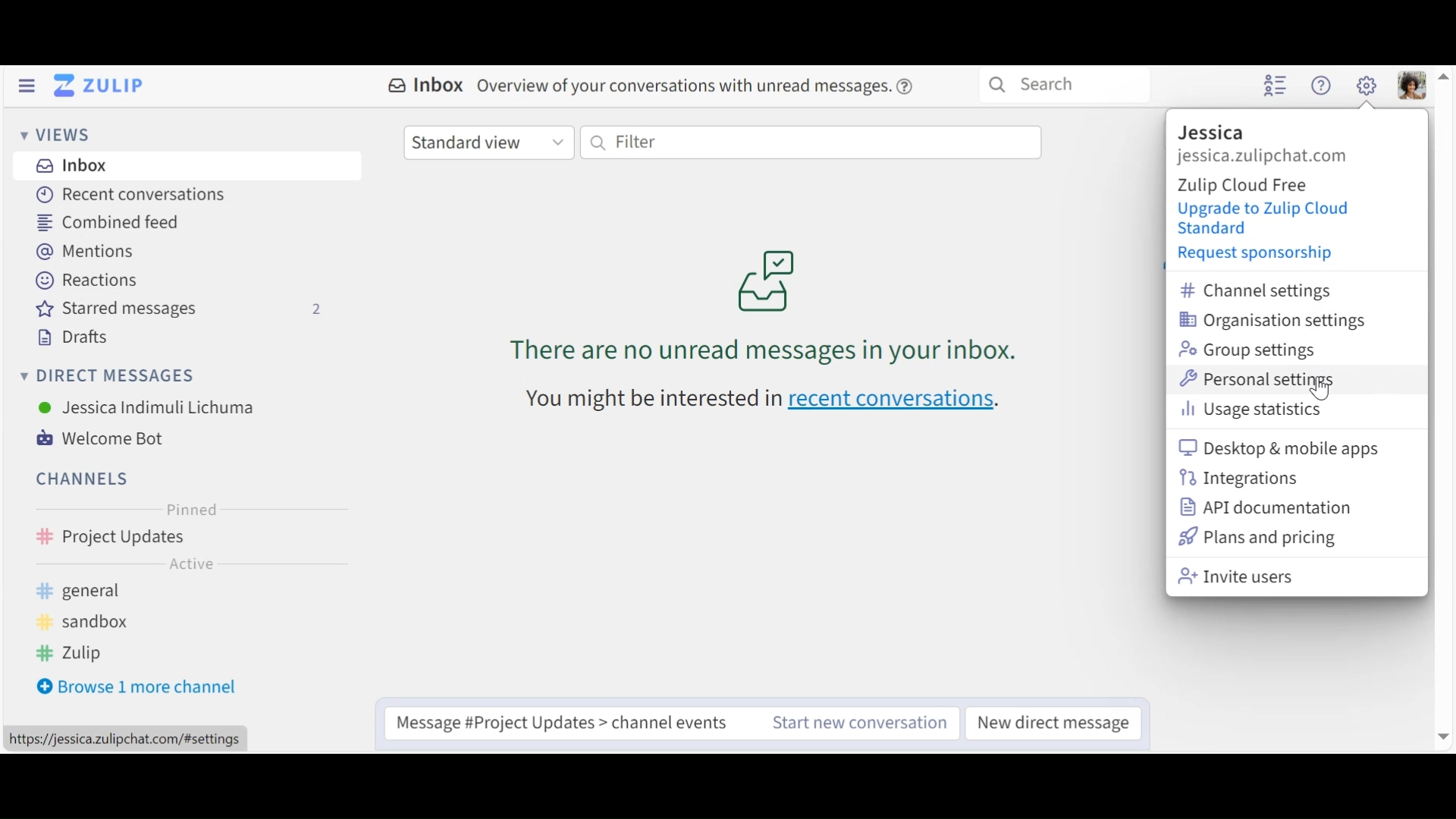  What do you see at coordinates (1272, 322) in the screenshot?
I see `Organisation settings` at bounding box center [1272, 322].